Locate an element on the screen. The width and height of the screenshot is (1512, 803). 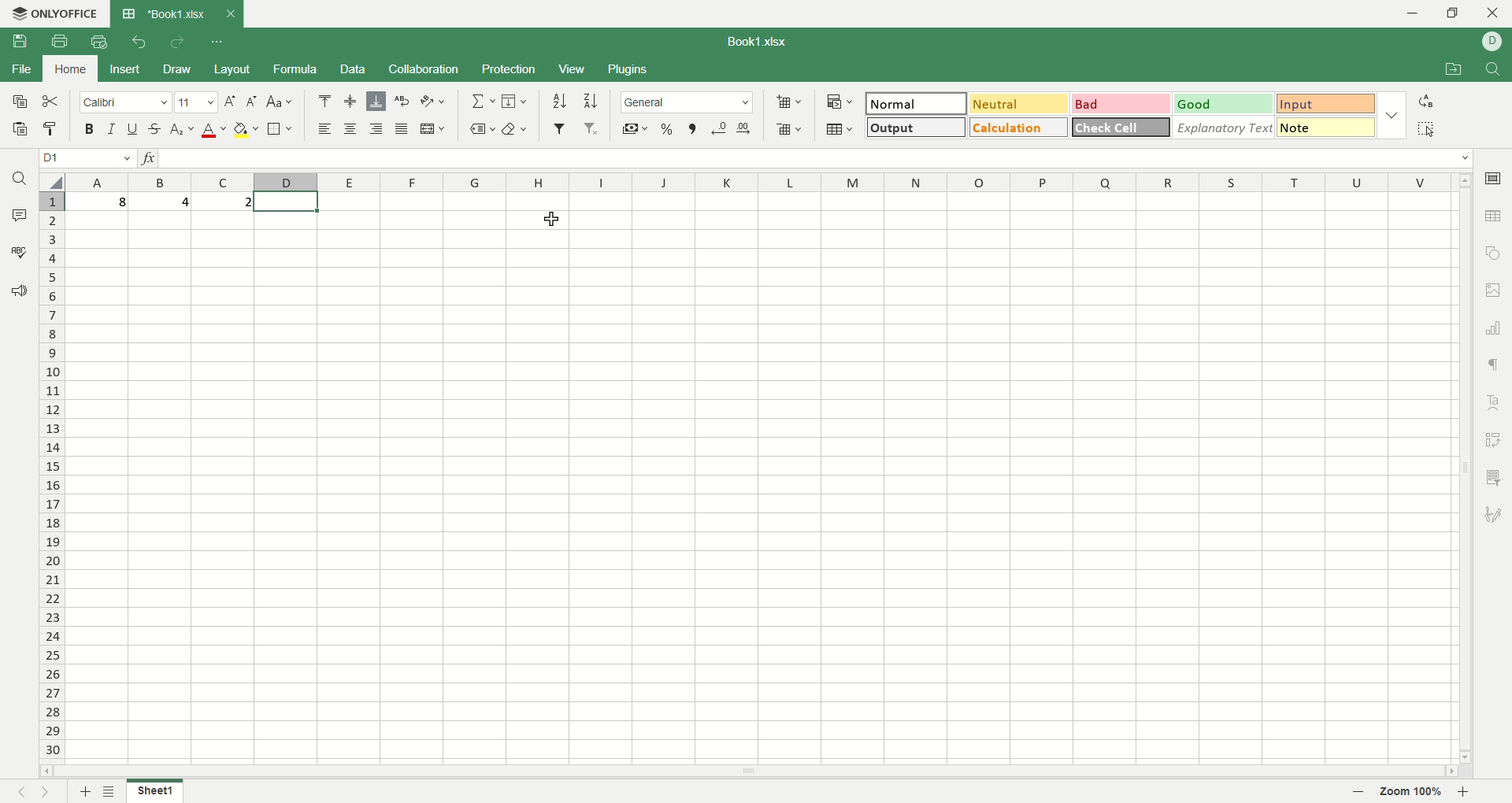
customize quickaccess is located at coordinates (218, 42).